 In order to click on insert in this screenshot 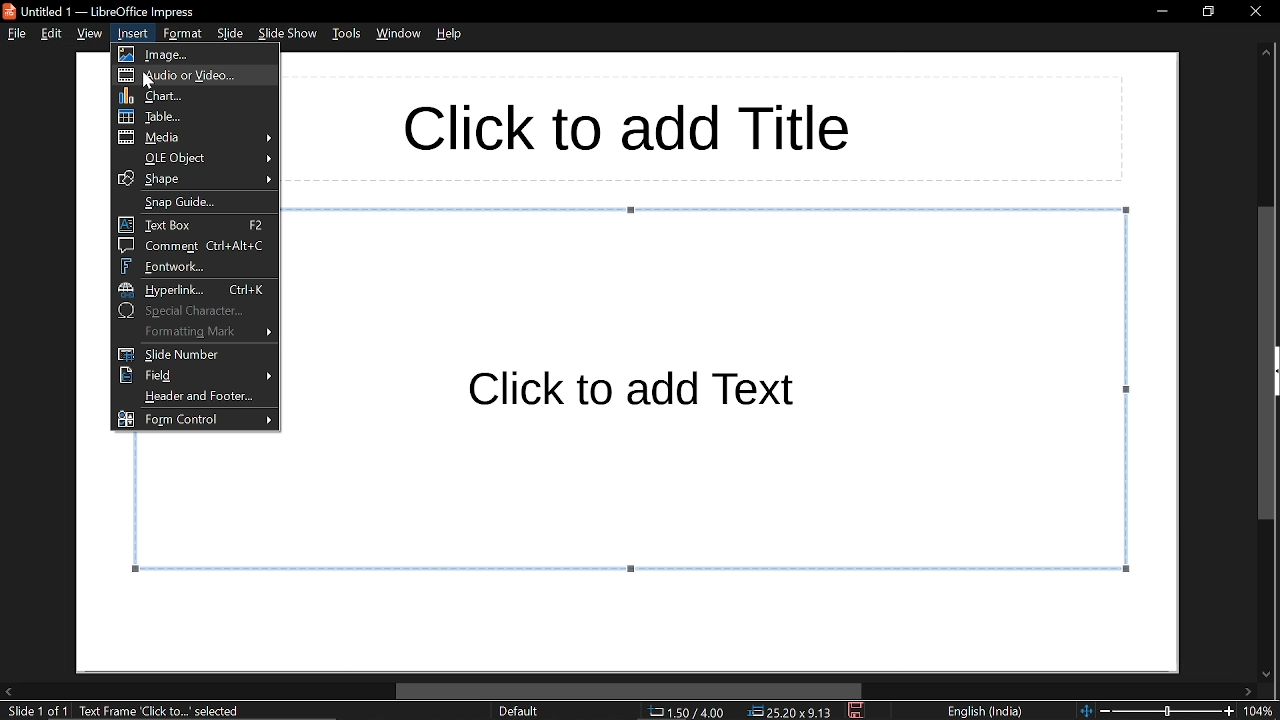, I will do `click(134, 32)`.